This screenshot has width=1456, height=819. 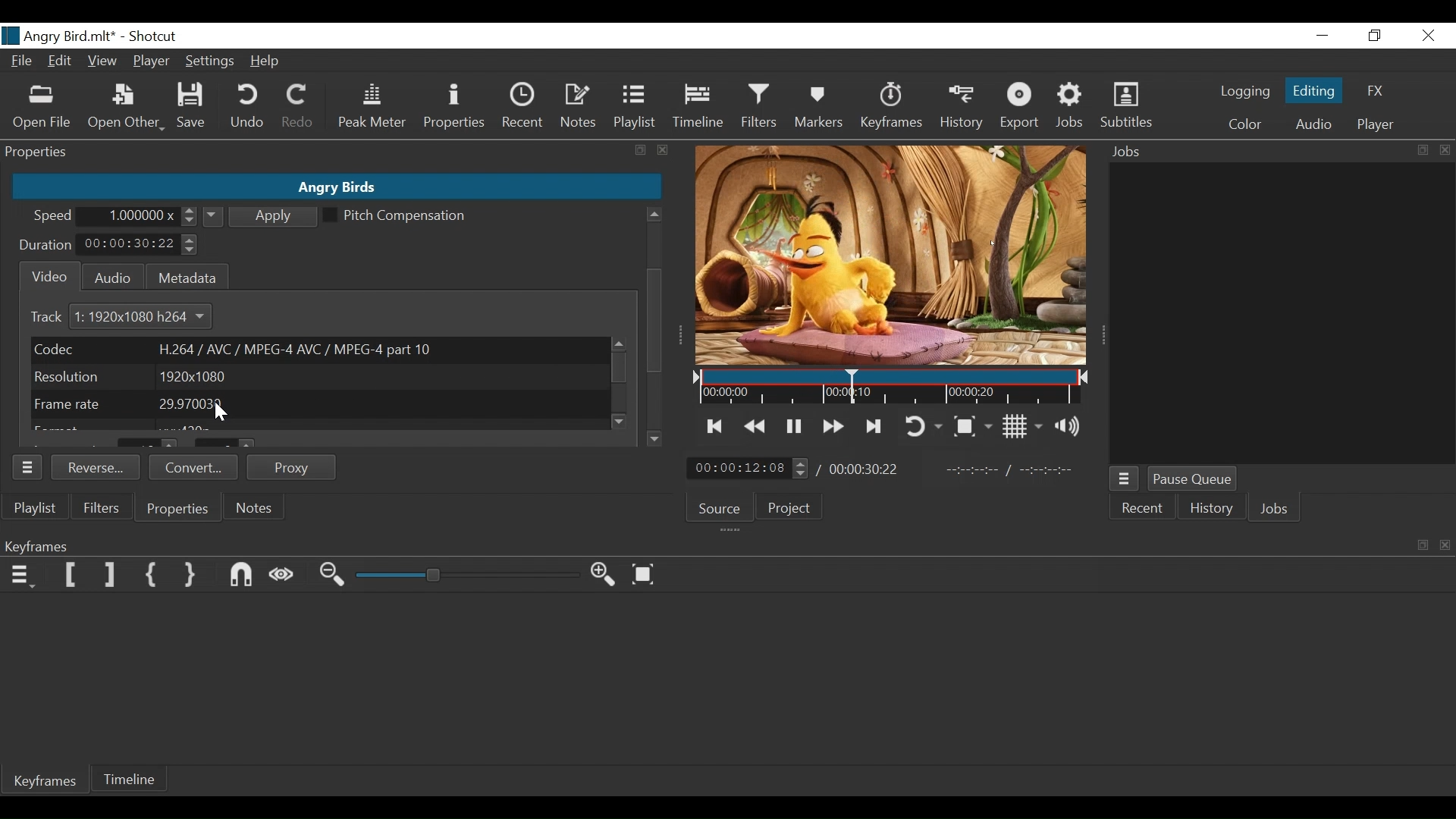 I want to click on Adjust Speed Field, so click(x=143, y=216).